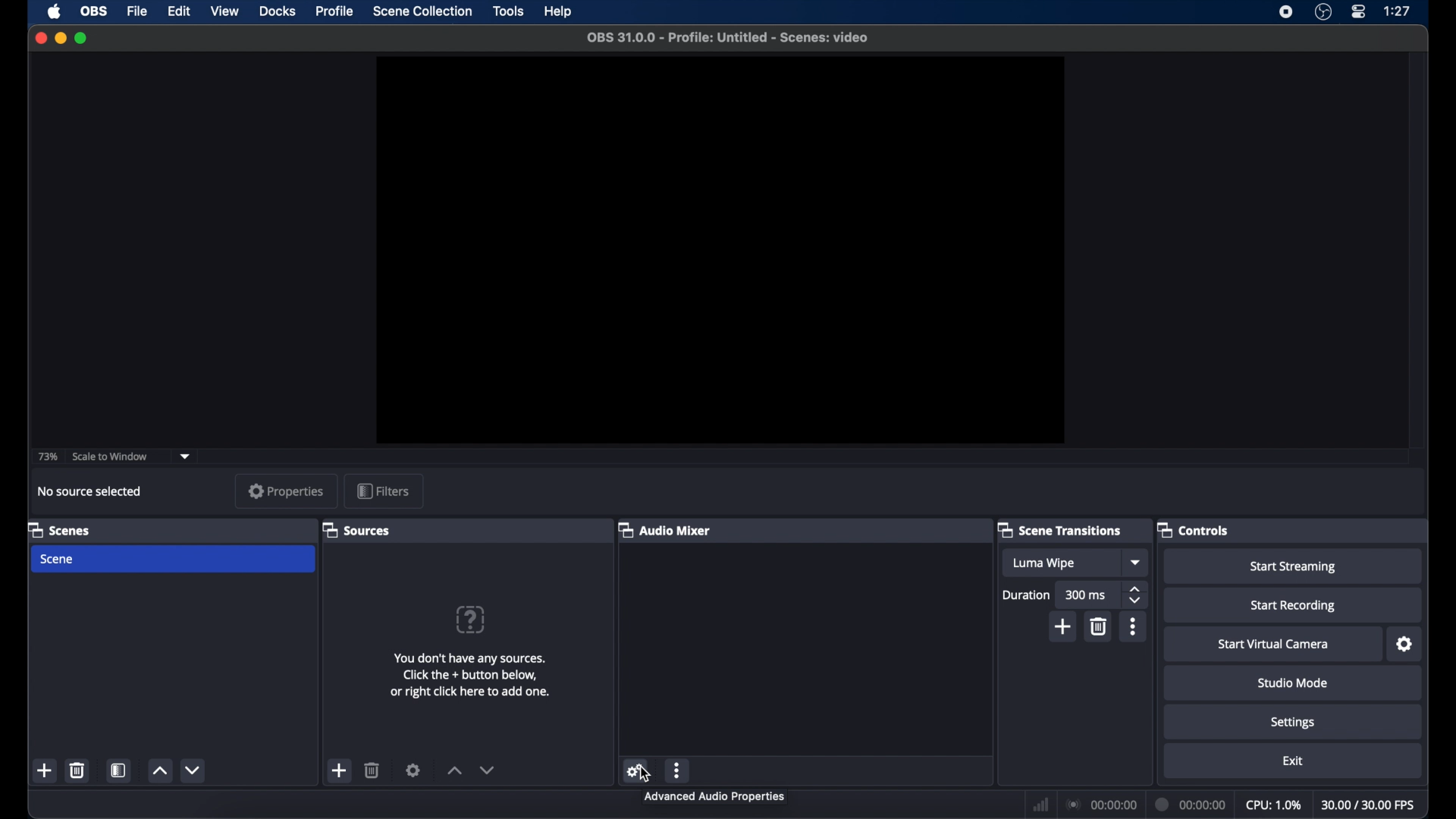 The height and width of the screenshot is (819, 1456). Describe the element at coordinates (1060, 531) in the screenshot. I see `scene transitions` at that location.